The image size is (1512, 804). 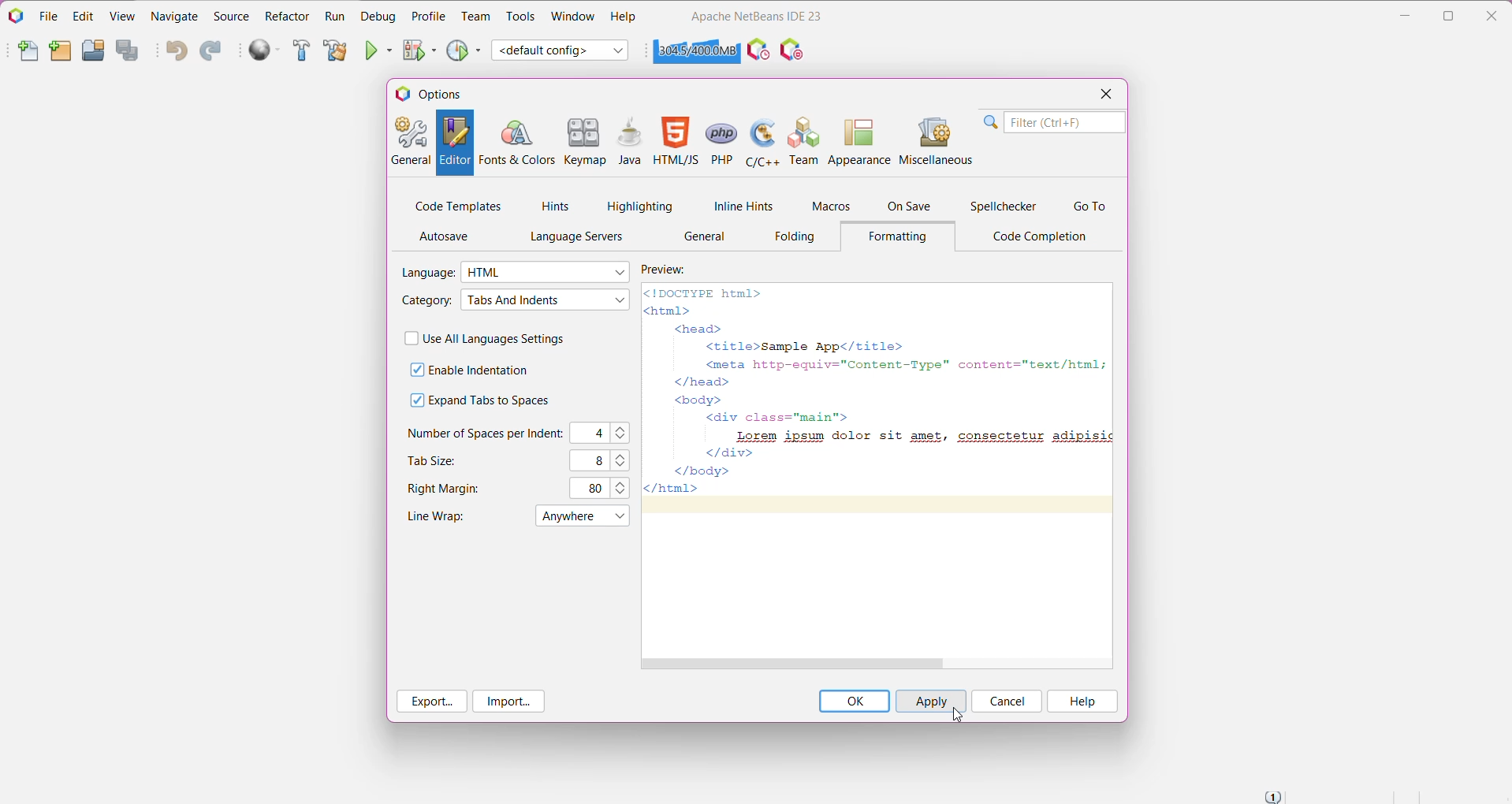 What do you see at coordinates (572, 237) in the screenshot?
I see `Language Servers` at bounding box center [572, 237].